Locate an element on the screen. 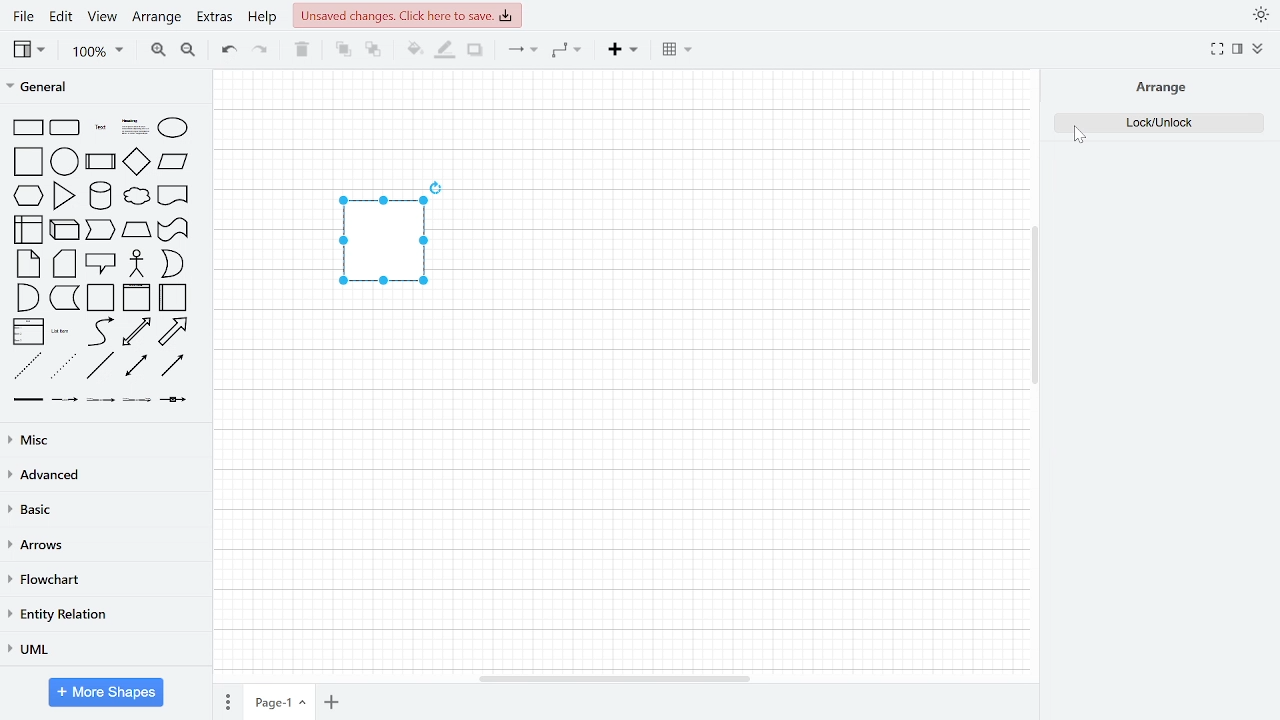  cloud is located at coordinates (136, 197).